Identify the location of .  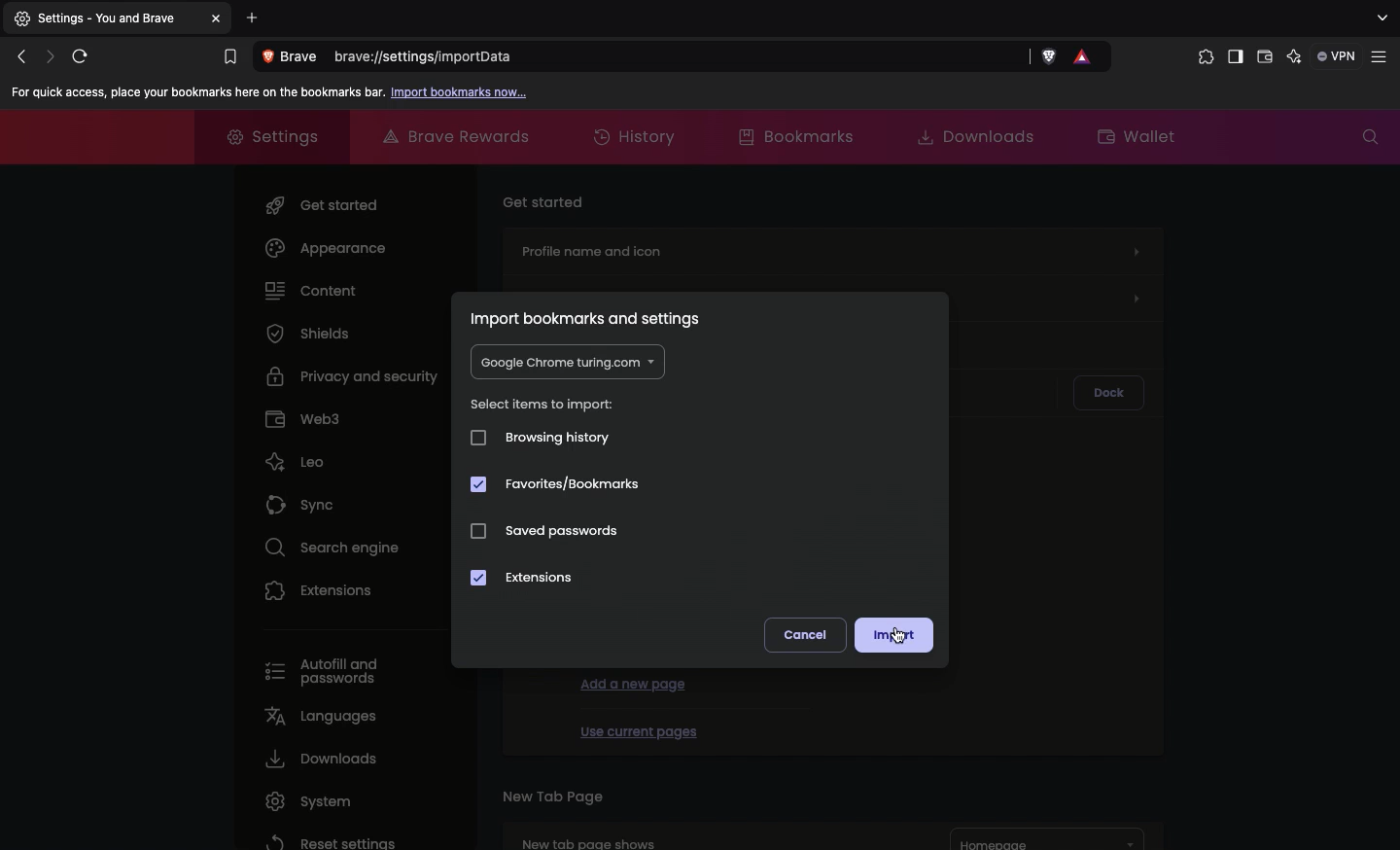
(219, 18).